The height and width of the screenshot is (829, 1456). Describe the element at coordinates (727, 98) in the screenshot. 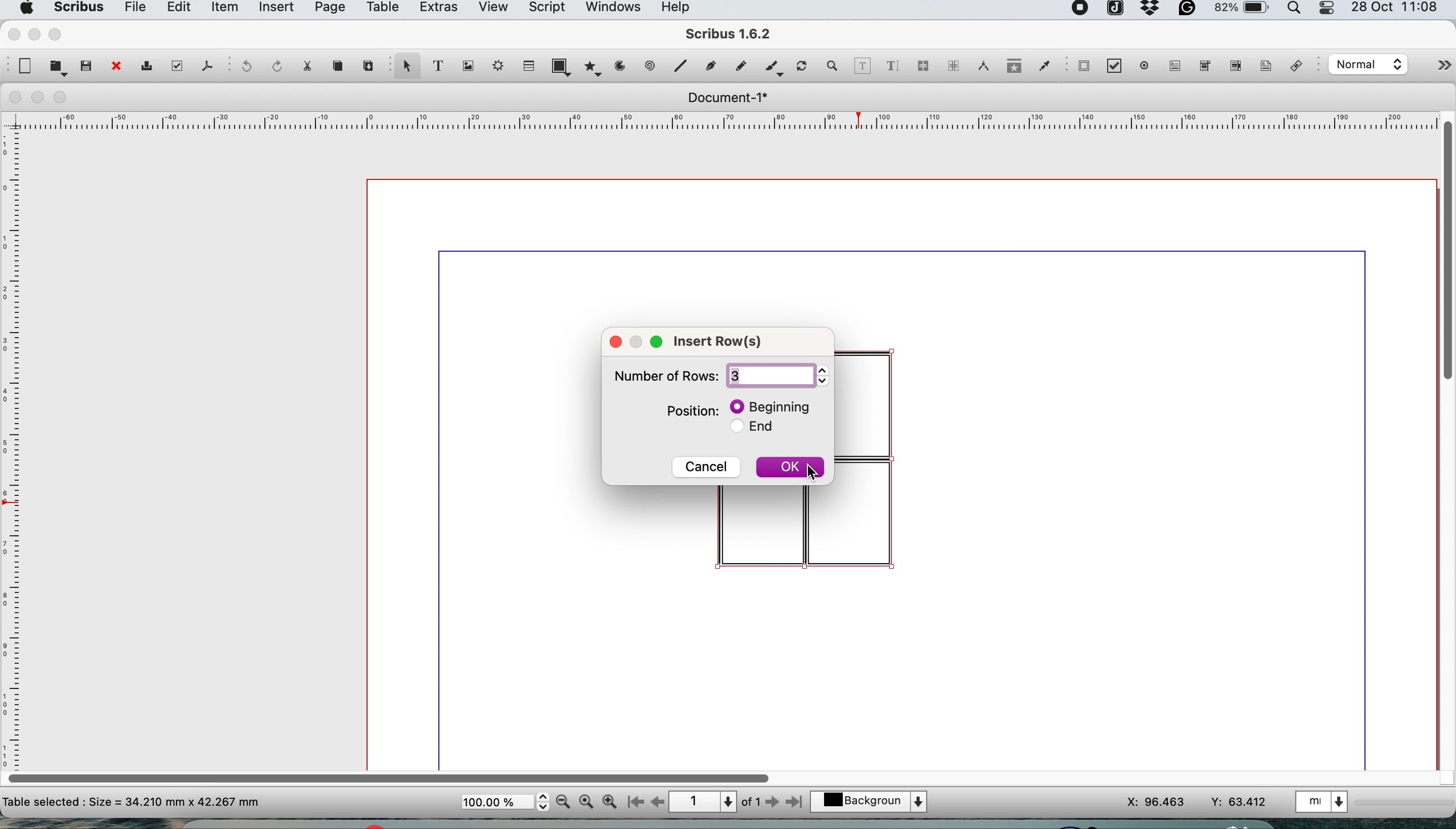

I see `document 1` at that location.